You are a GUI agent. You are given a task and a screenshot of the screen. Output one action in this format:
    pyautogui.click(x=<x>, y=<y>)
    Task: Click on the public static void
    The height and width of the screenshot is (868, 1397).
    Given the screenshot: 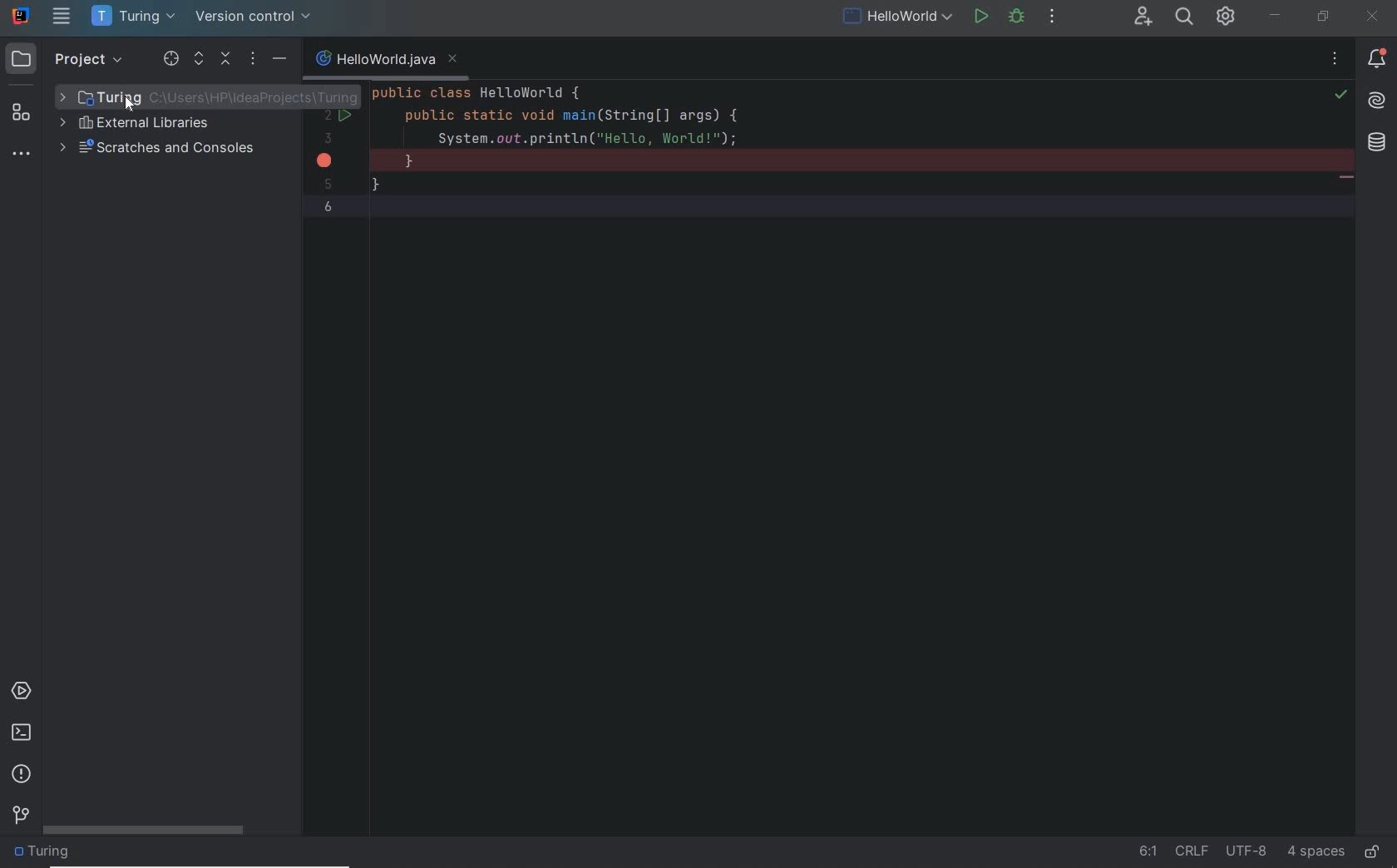 What is the action you would take?
    pyautogui.click(x=1345, y=179)
    